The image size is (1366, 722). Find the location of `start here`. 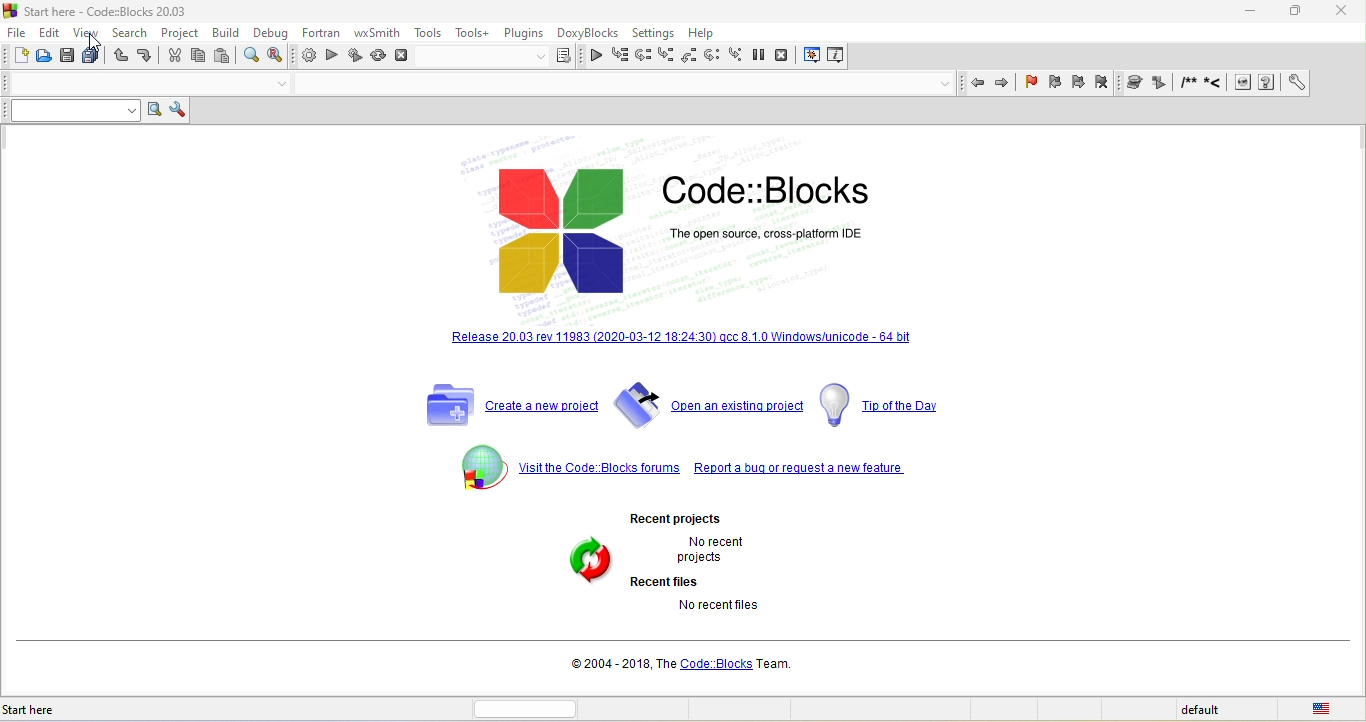

start here is located at coordinates (39, 710).